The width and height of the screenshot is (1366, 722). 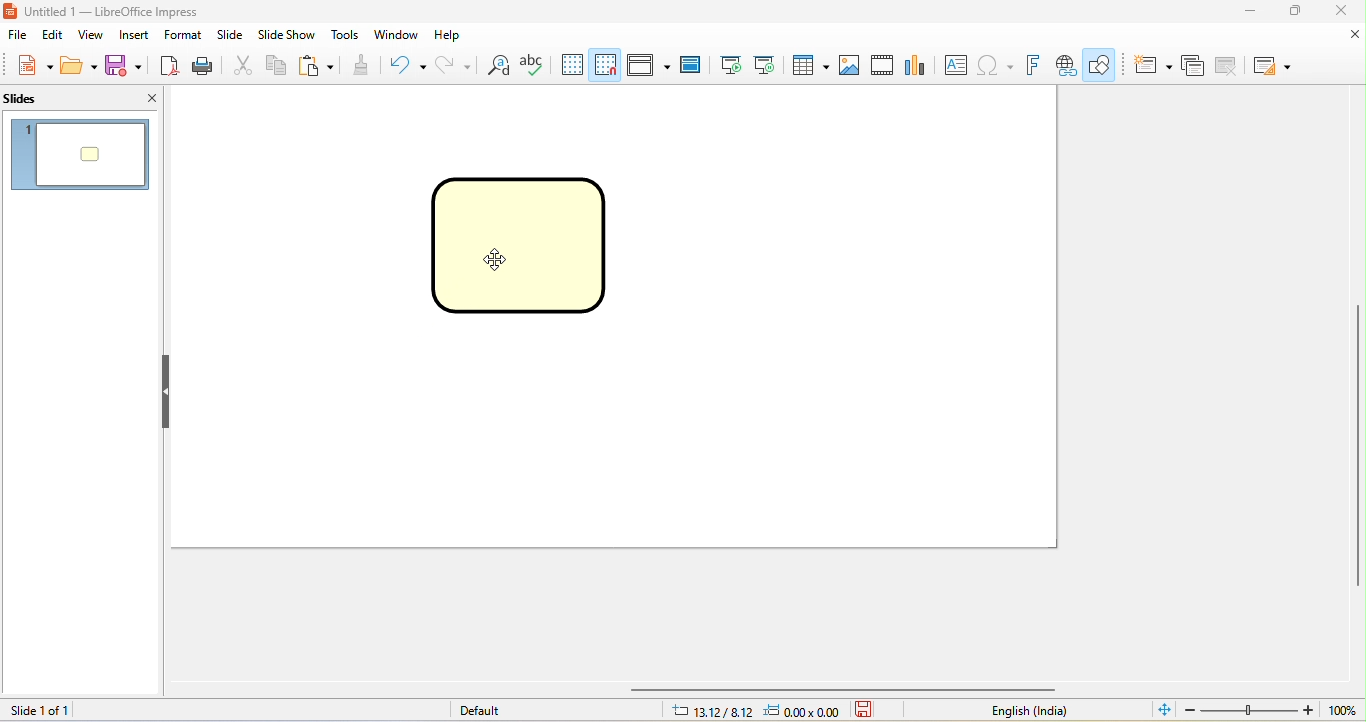 I want to click on show draw function, so click(x=1102, y=65).